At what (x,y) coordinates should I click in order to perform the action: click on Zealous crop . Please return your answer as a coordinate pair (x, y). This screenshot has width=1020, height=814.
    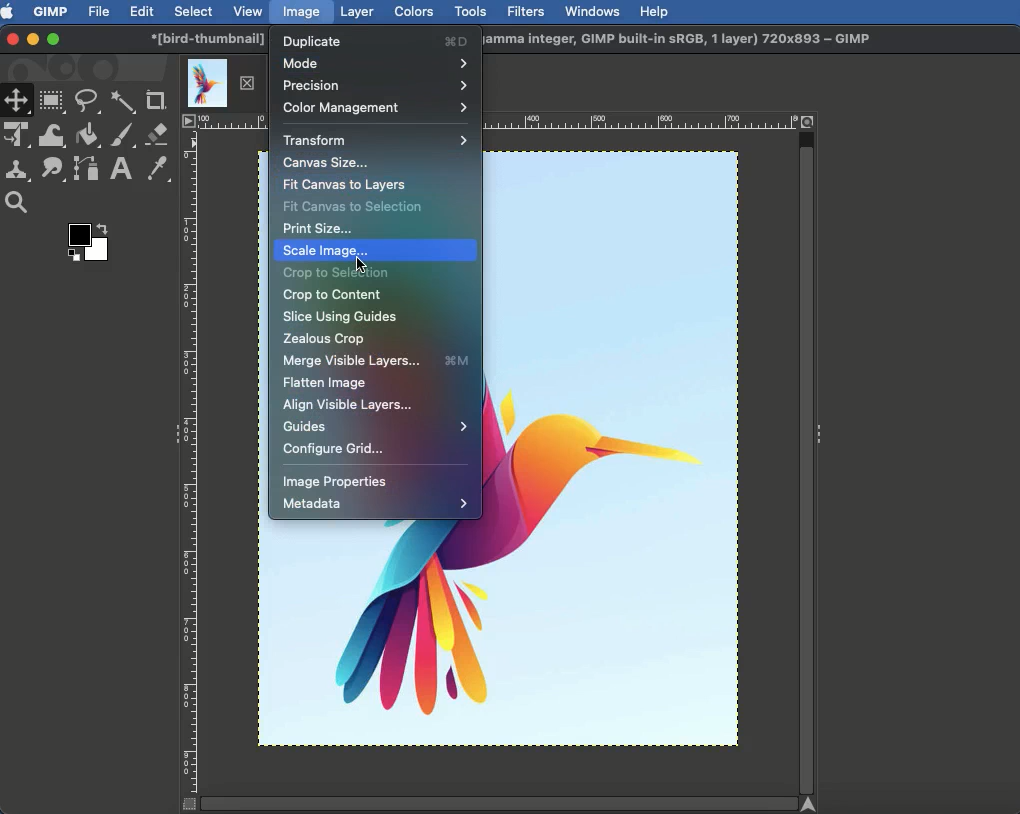
    Looking at the image, I should click on (326, 340).